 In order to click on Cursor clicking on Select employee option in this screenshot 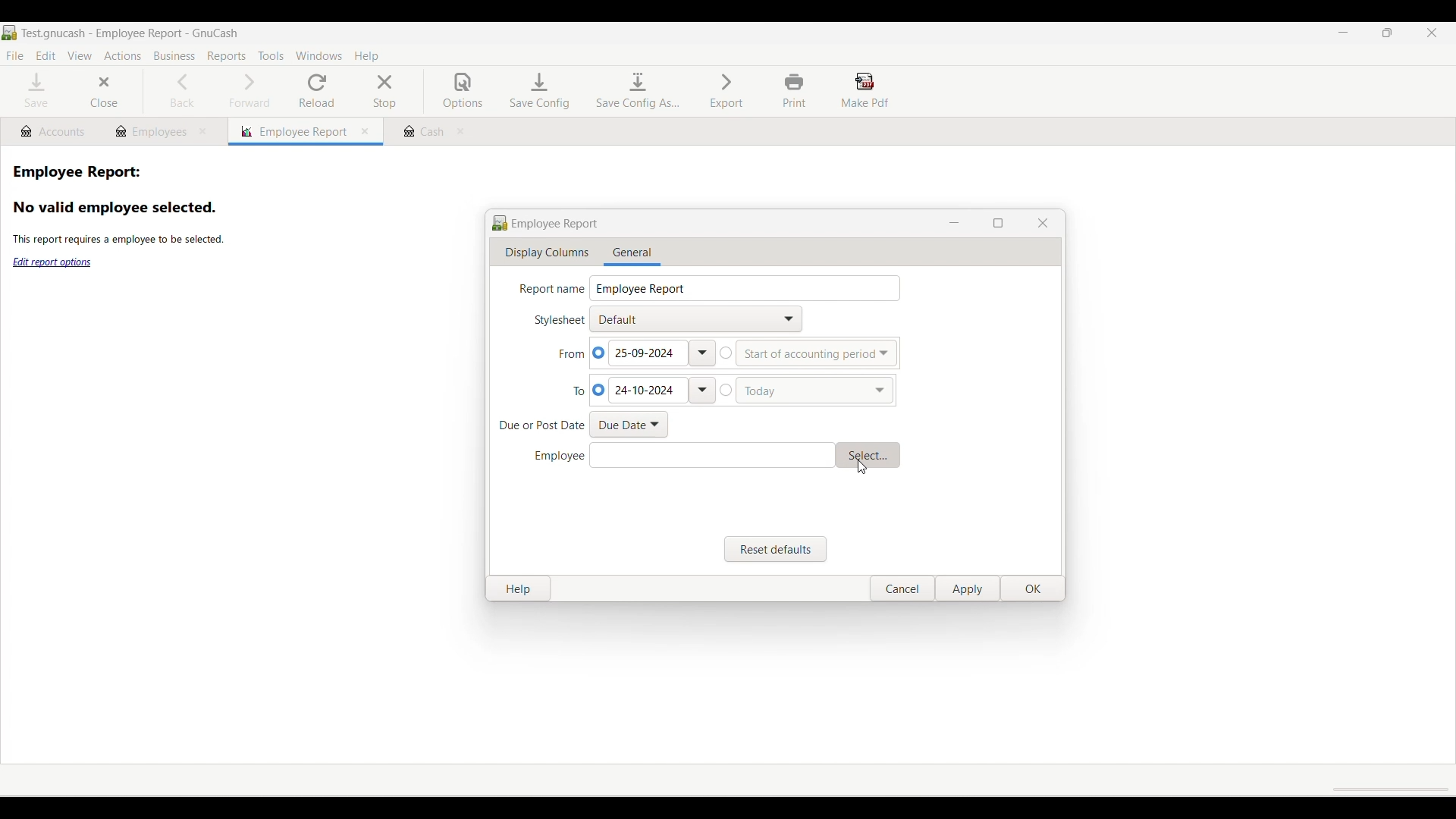, I will do `click(861, 467)`.